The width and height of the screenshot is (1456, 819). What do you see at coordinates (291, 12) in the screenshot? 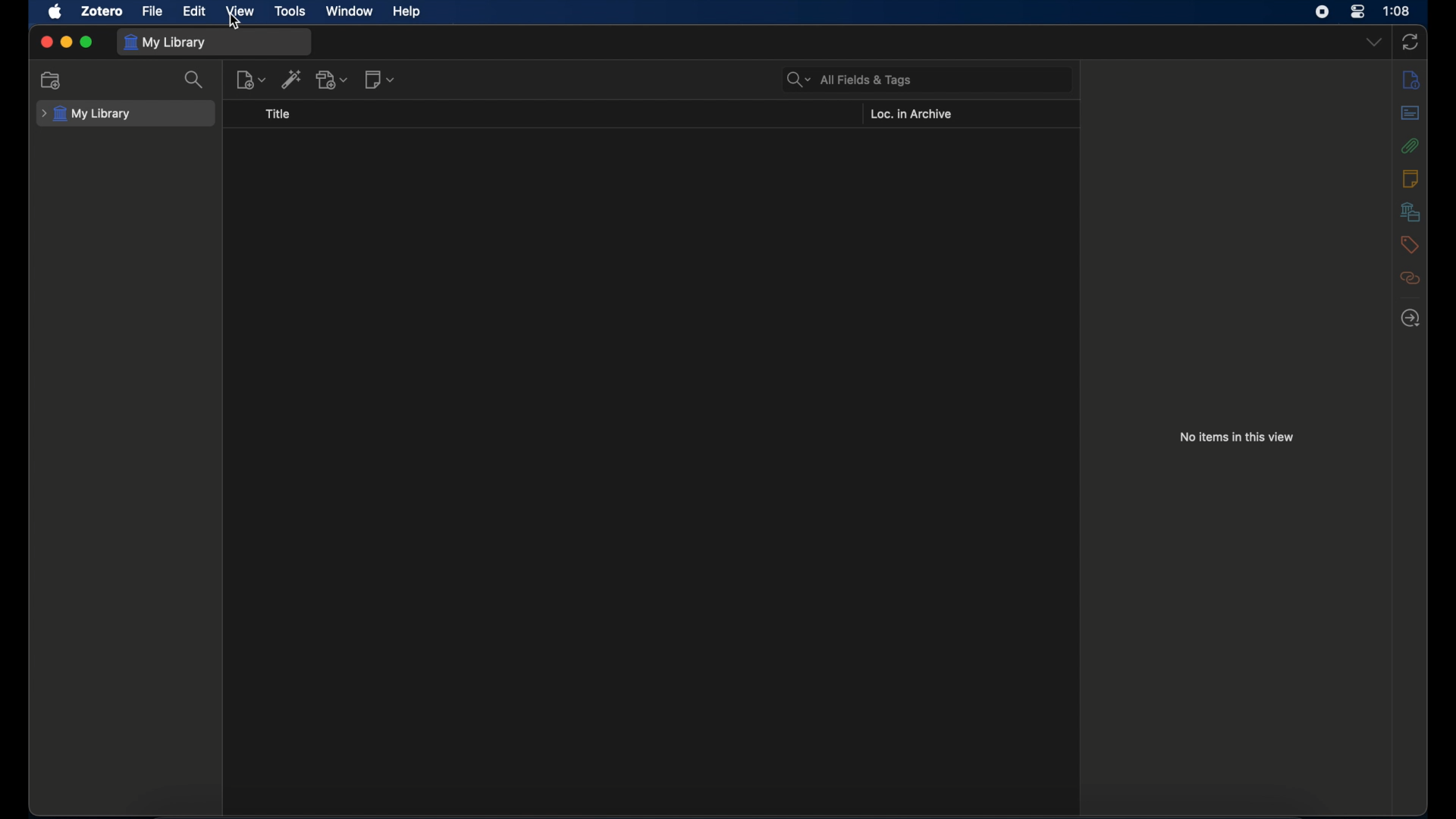
I see `tools` at bounding box center [291, 12].